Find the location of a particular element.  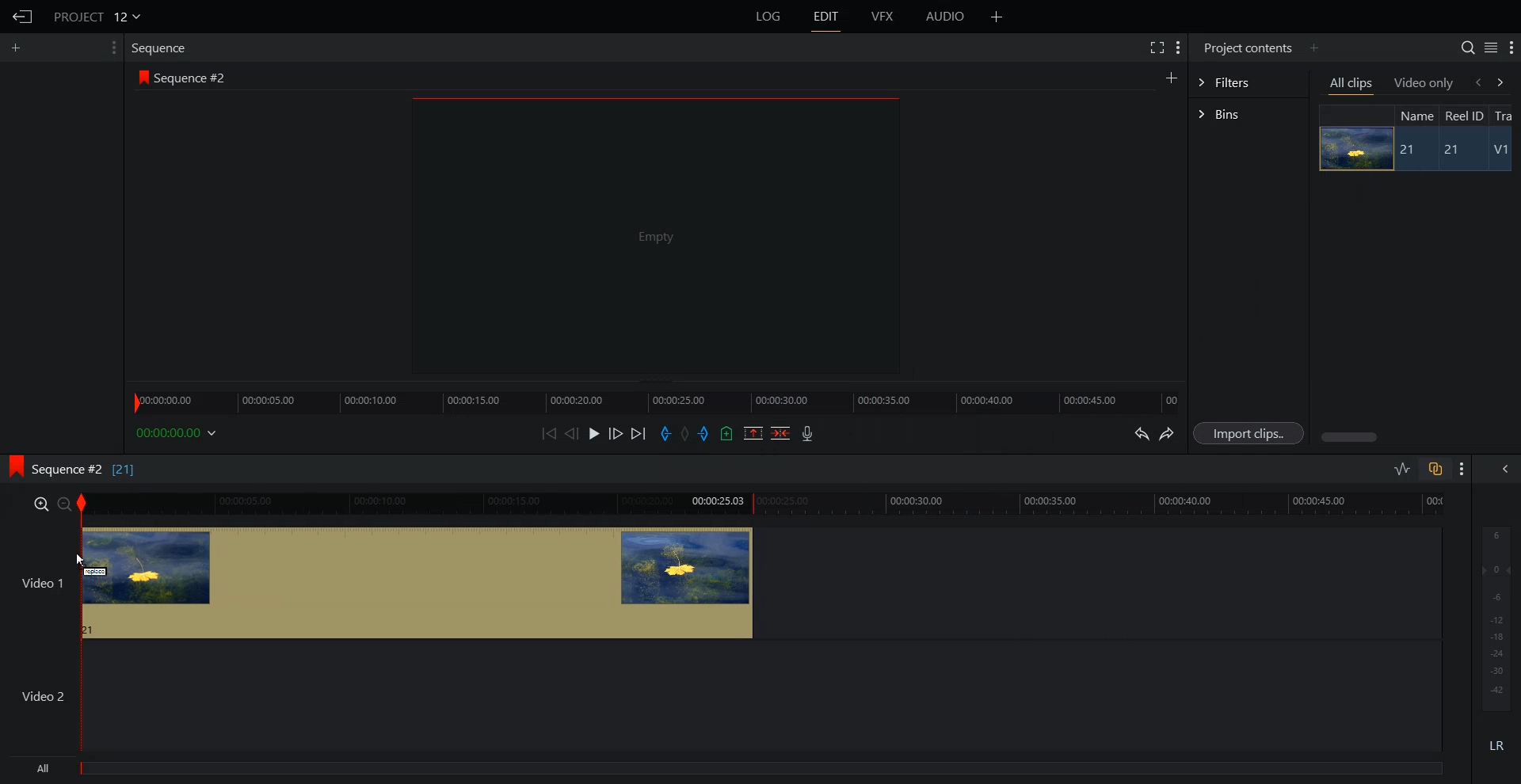

Remove Mark Section is located at coordinates (753, 433).